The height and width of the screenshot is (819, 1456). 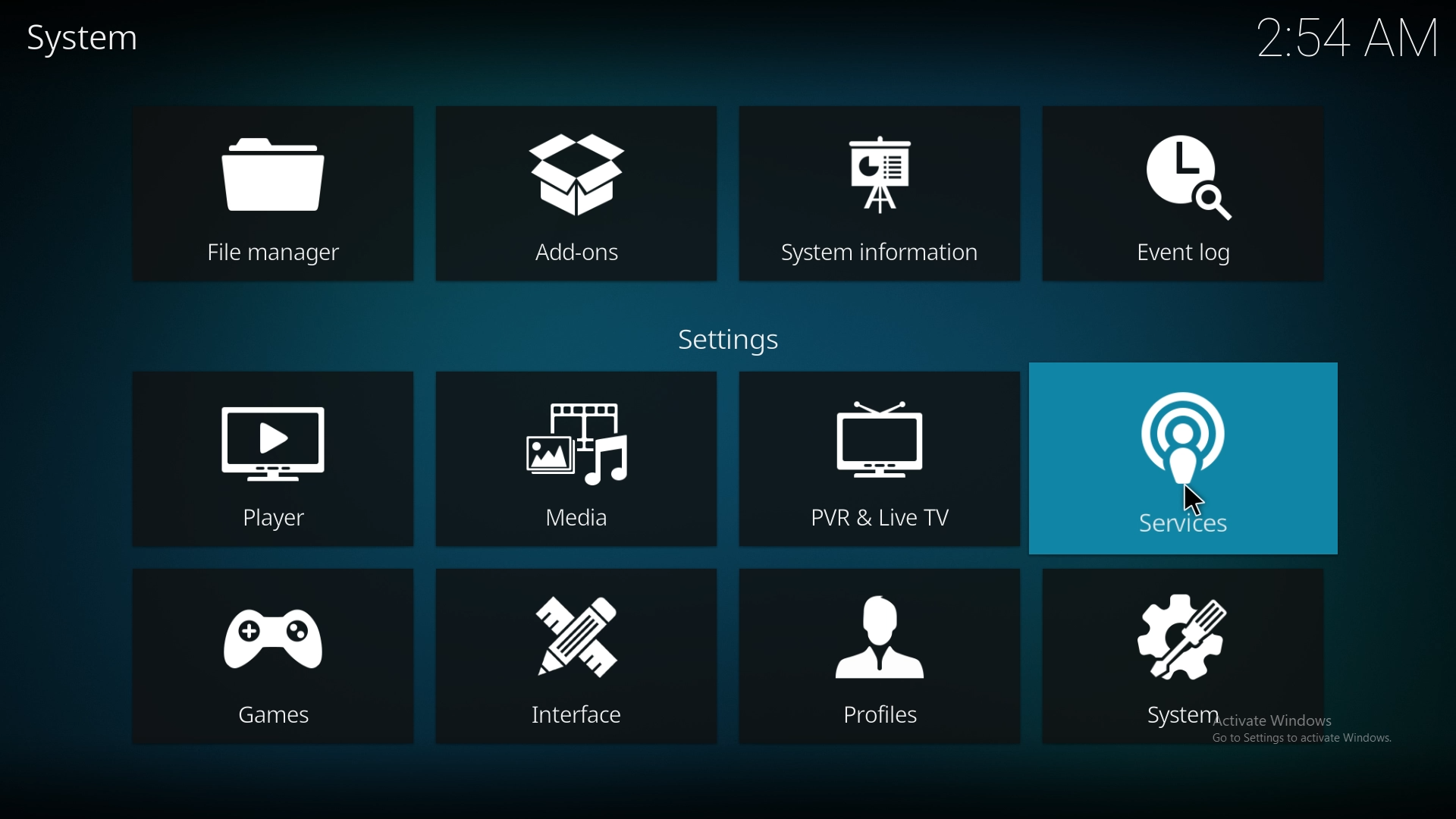 What do you see at coordinates (579, 461) in the screenshot?
I see `media` at bounding box center [579, 461].